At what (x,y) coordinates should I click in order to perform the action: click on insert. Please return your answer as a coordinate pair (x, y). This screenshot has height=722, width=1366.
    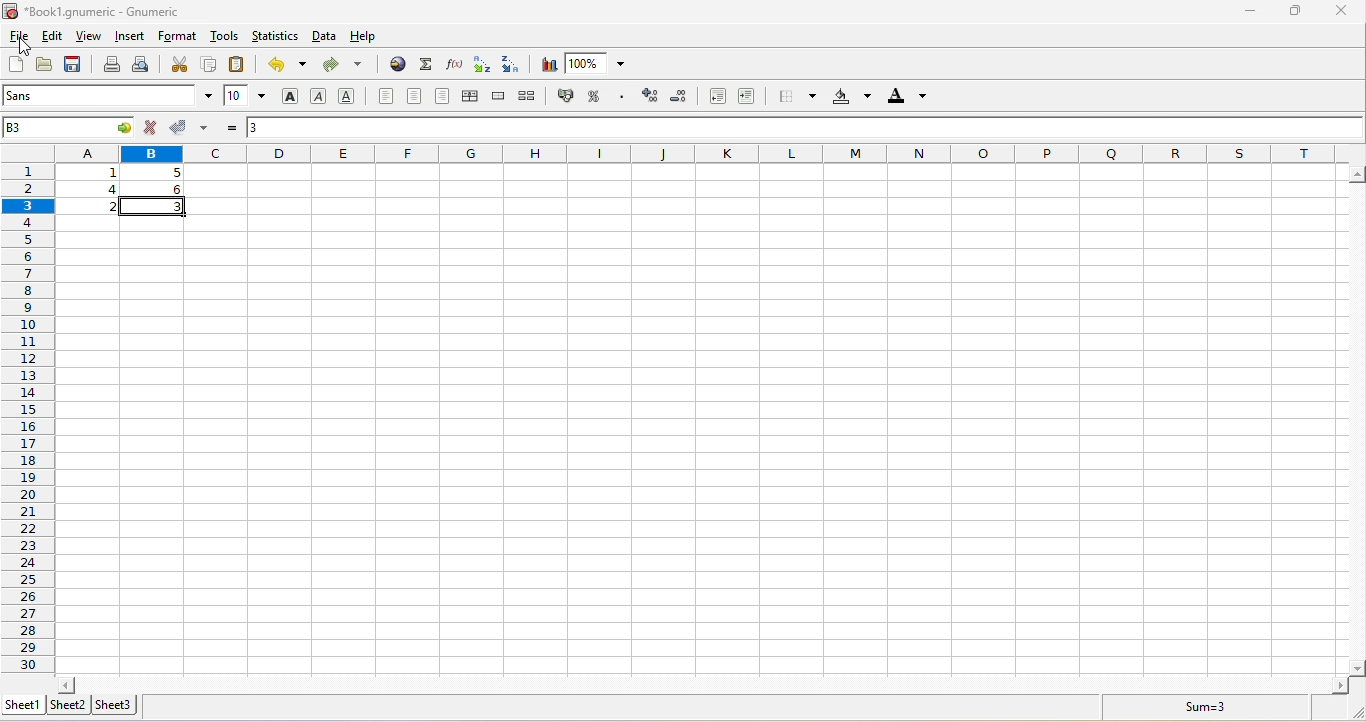
    Looking at the image, I should click on (129, 37).